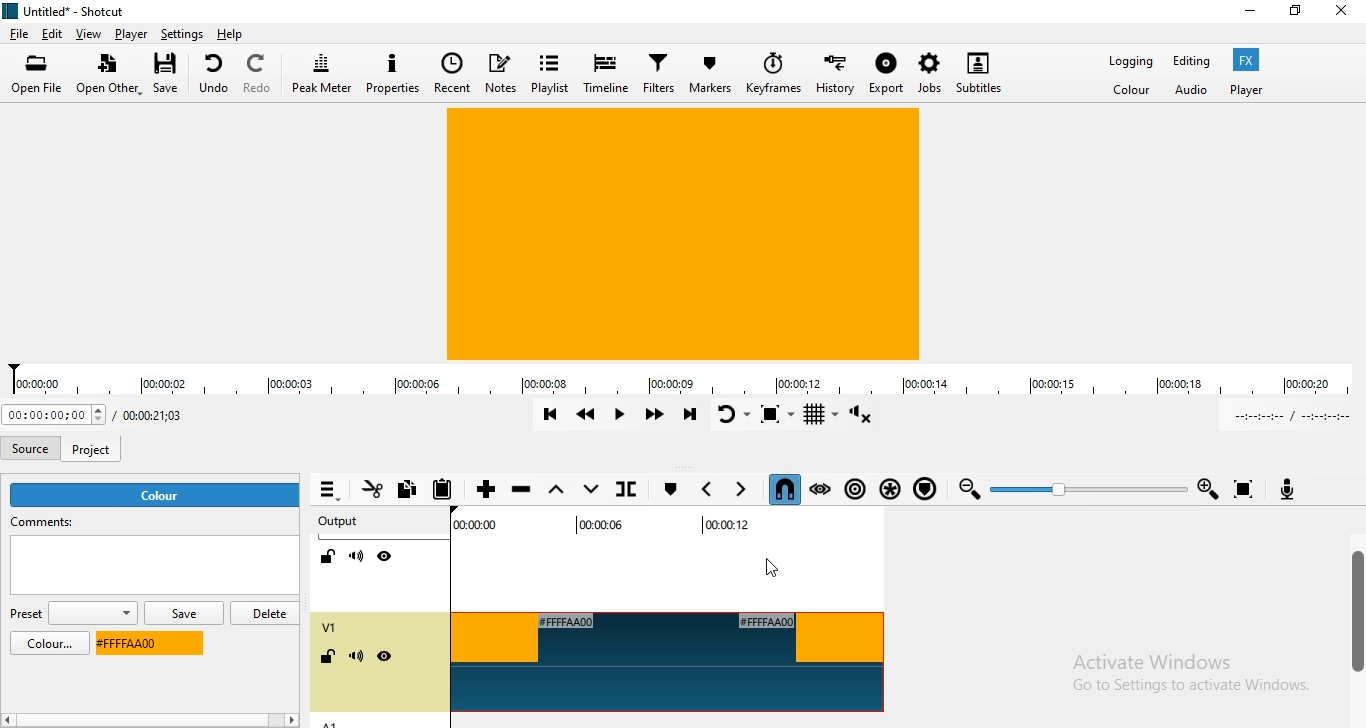 This screenshot has width=1366, height=728. What do you see at coordinates (524, 490) in the screenshot?
I see `Ripple delete` at bounding box center [524, 490].